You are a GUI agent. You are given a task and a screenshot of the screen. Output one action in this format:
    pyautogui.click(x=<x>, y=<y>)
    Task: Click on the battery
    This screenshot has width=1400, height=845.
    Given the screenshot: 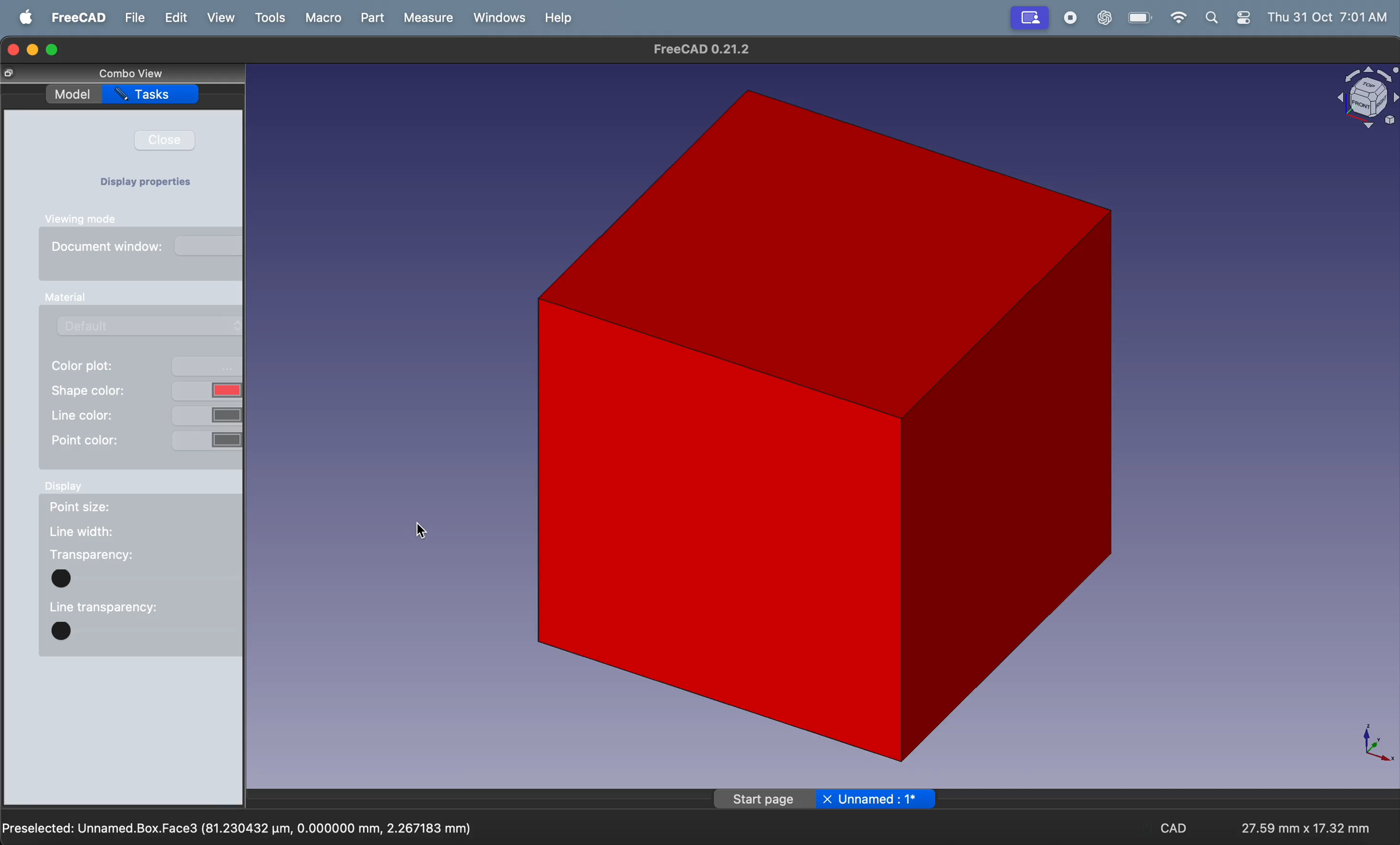 What is the action you would take?
    pyautogui.click(x=1136, y=18)
    